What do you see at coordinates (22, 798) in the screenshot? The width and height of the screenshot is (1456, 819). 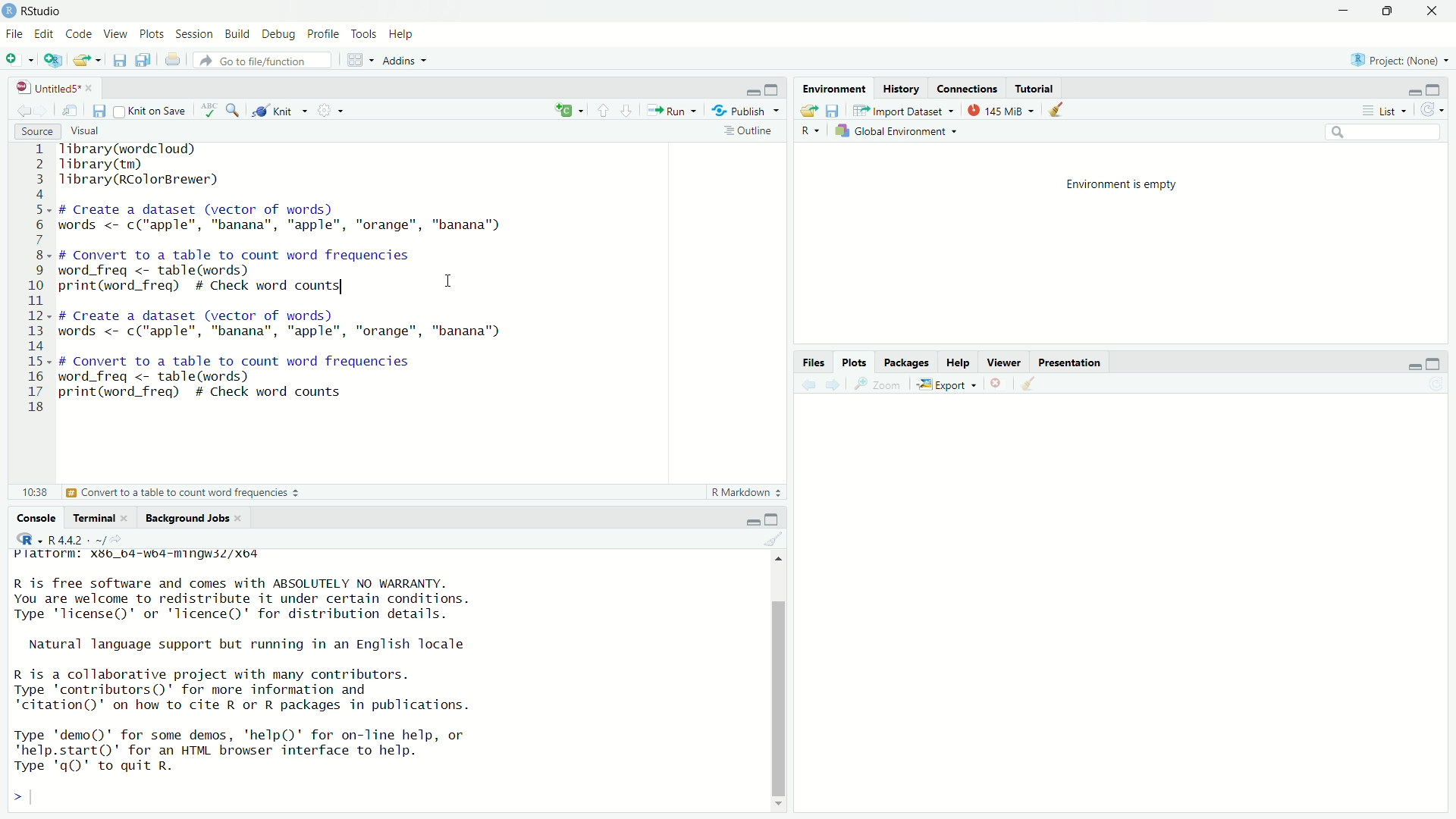 I see `>` at bounding box center [22, 798].